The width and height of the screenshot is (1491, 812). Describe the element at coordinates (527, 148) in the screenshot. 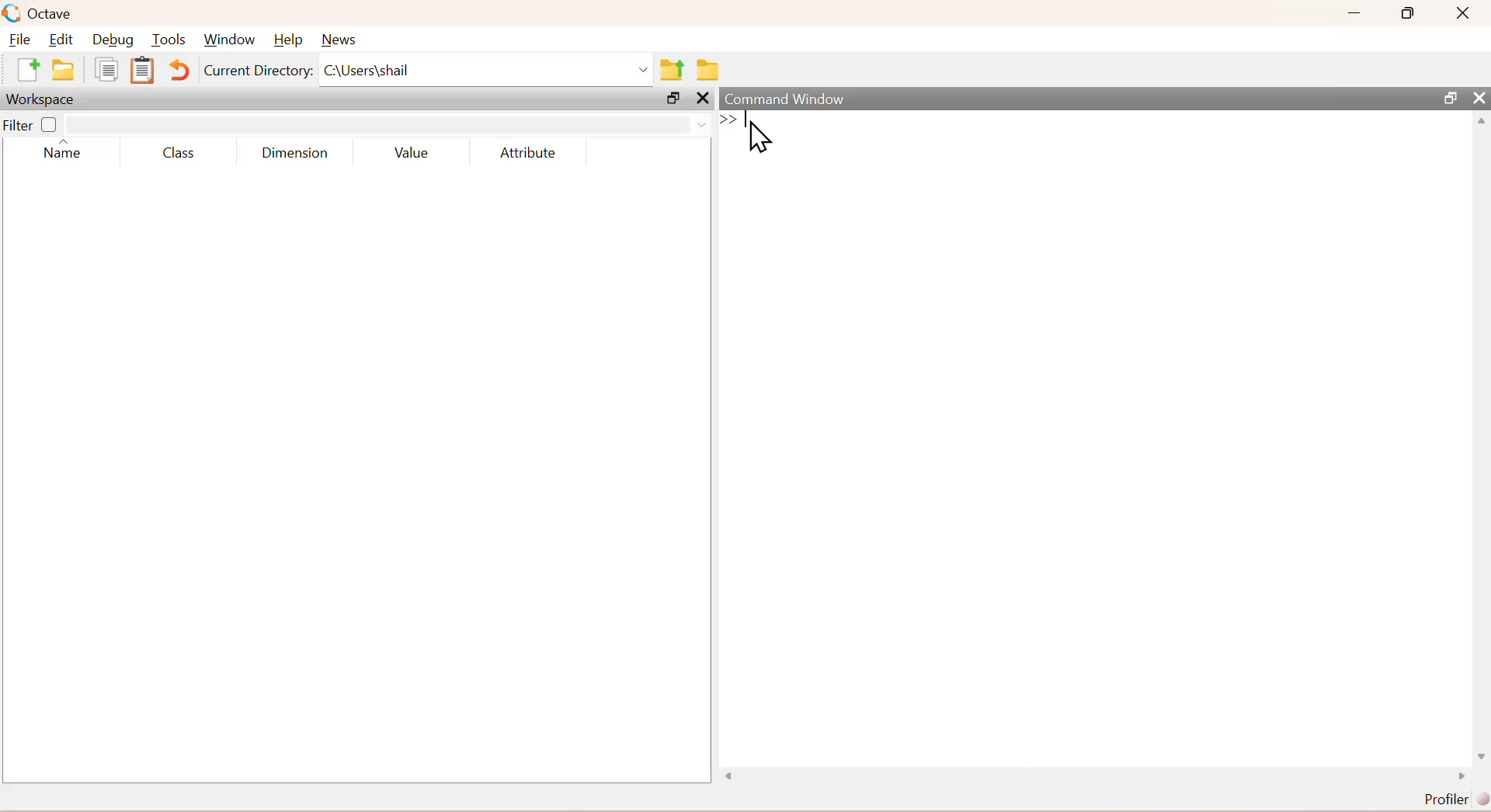

I see `Attribute` at that location.